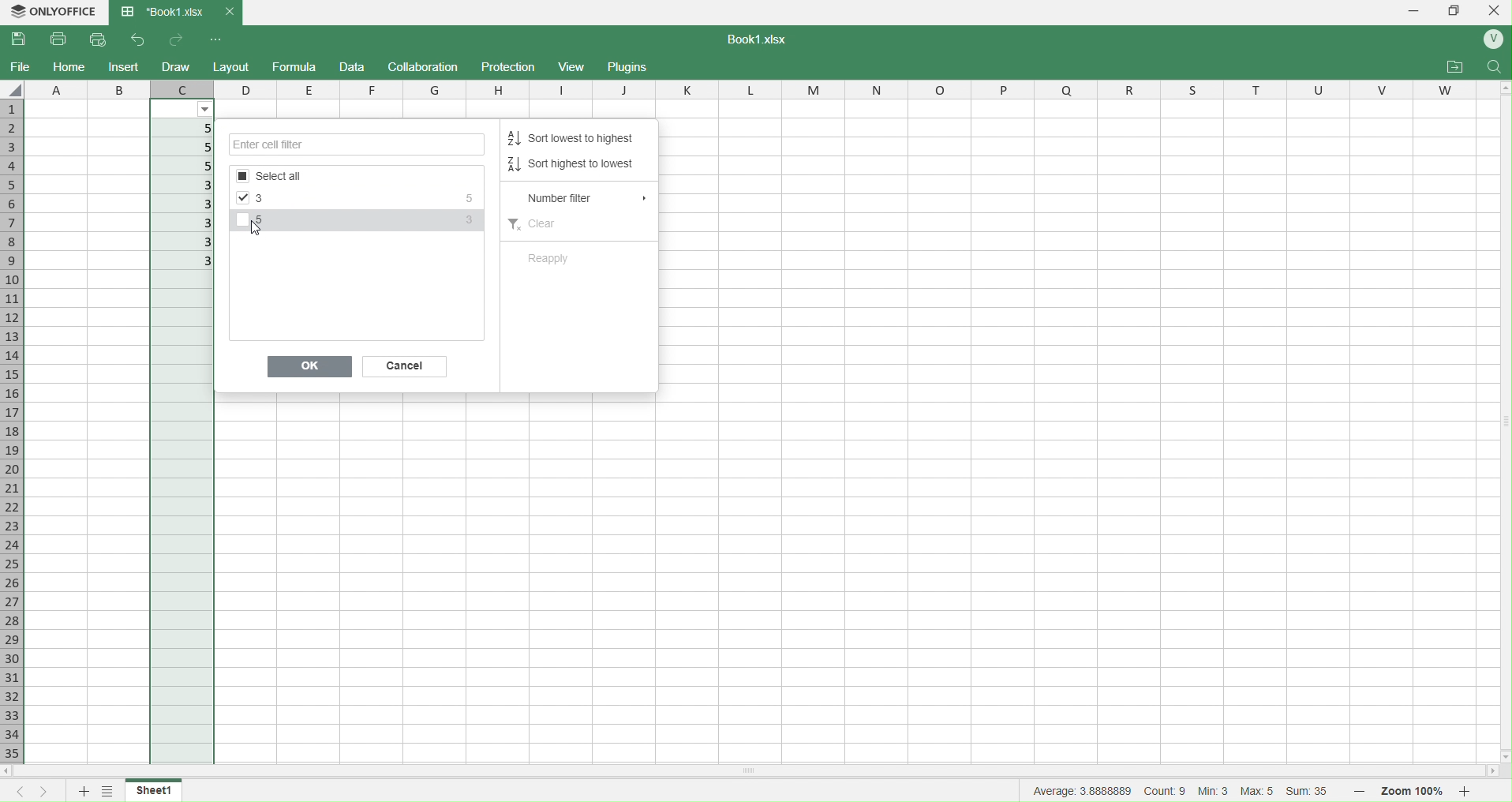 This screenshot has width=1512, height=802. Describe the element at coordinates (269, 223) in the screenshot. I see `5` at that location.